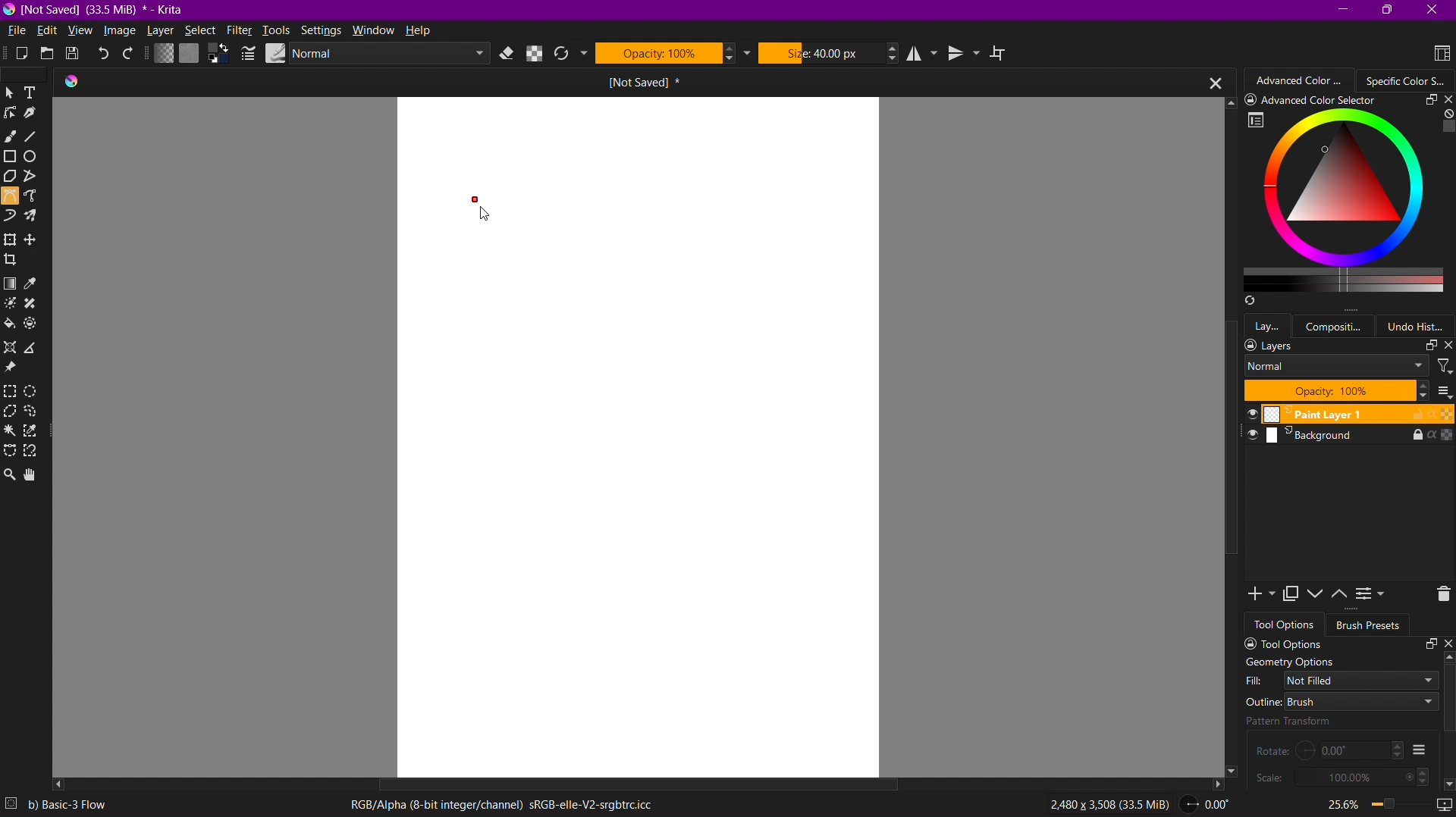  What do you see at coordinates (829, 52) in the screenshot?
I see `Size` at bounding box center [829, 52].